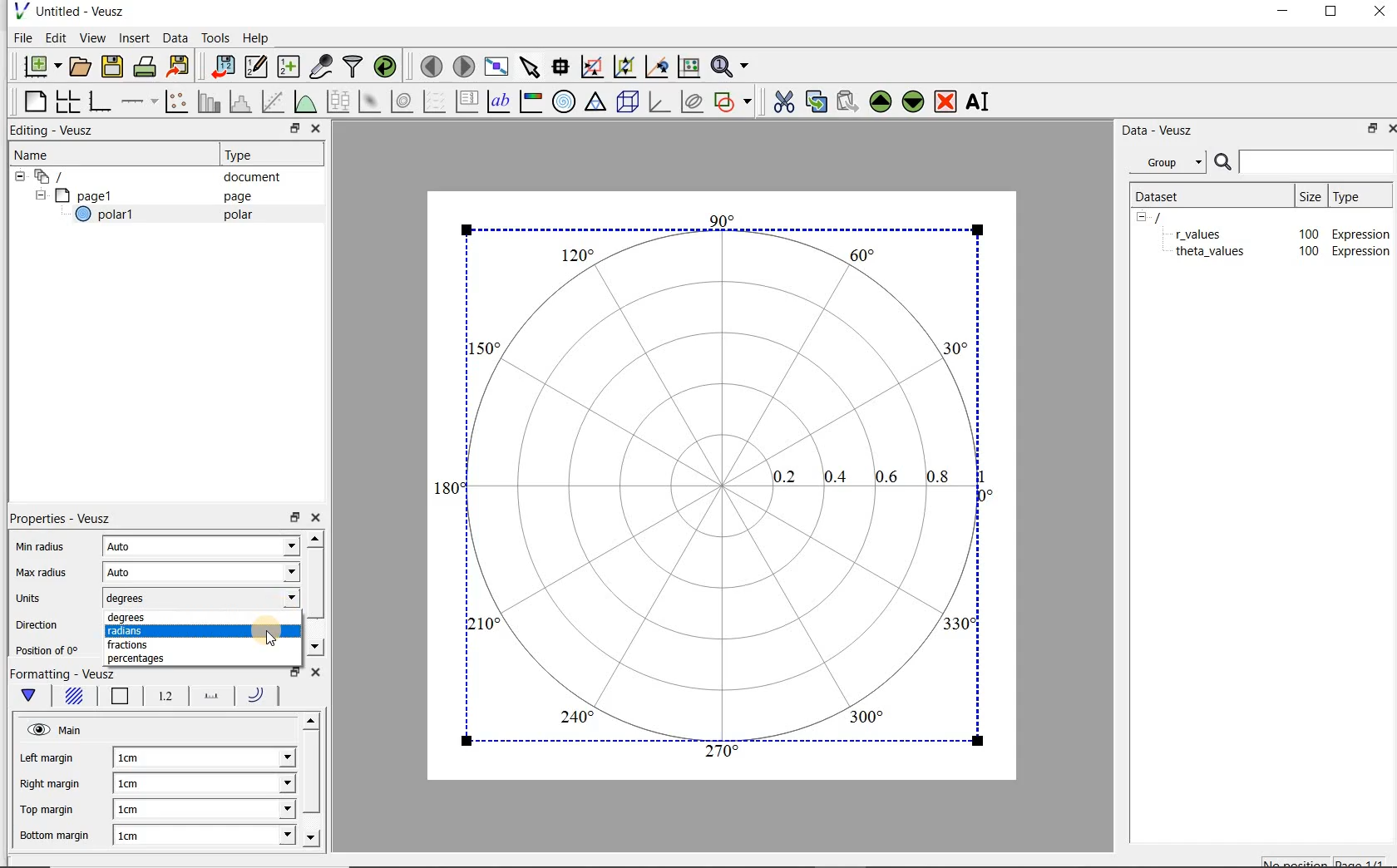 Image resolution: width=1397 pixels, height=868 pixels. I want to click on Editing - Veusz, so click(56, 131).